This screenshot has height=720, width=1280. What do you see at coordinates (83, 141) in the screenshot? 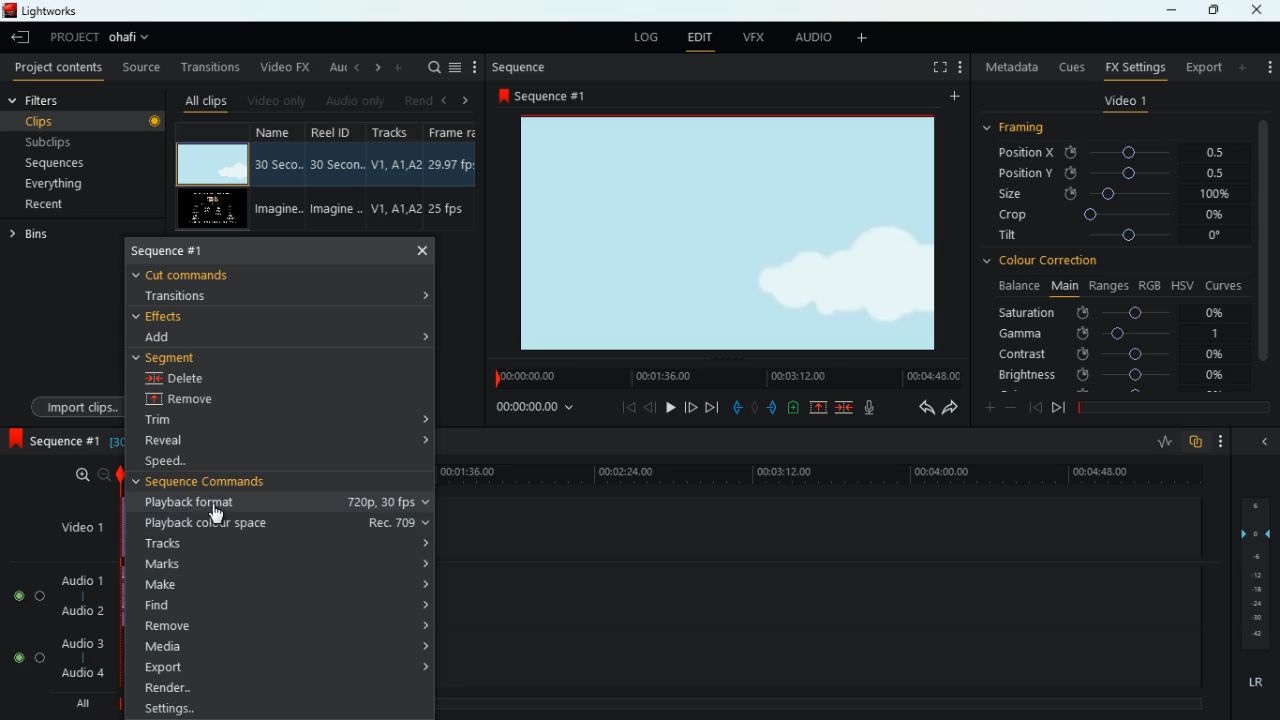
I see `subclips` at bounding box center [83, 141].